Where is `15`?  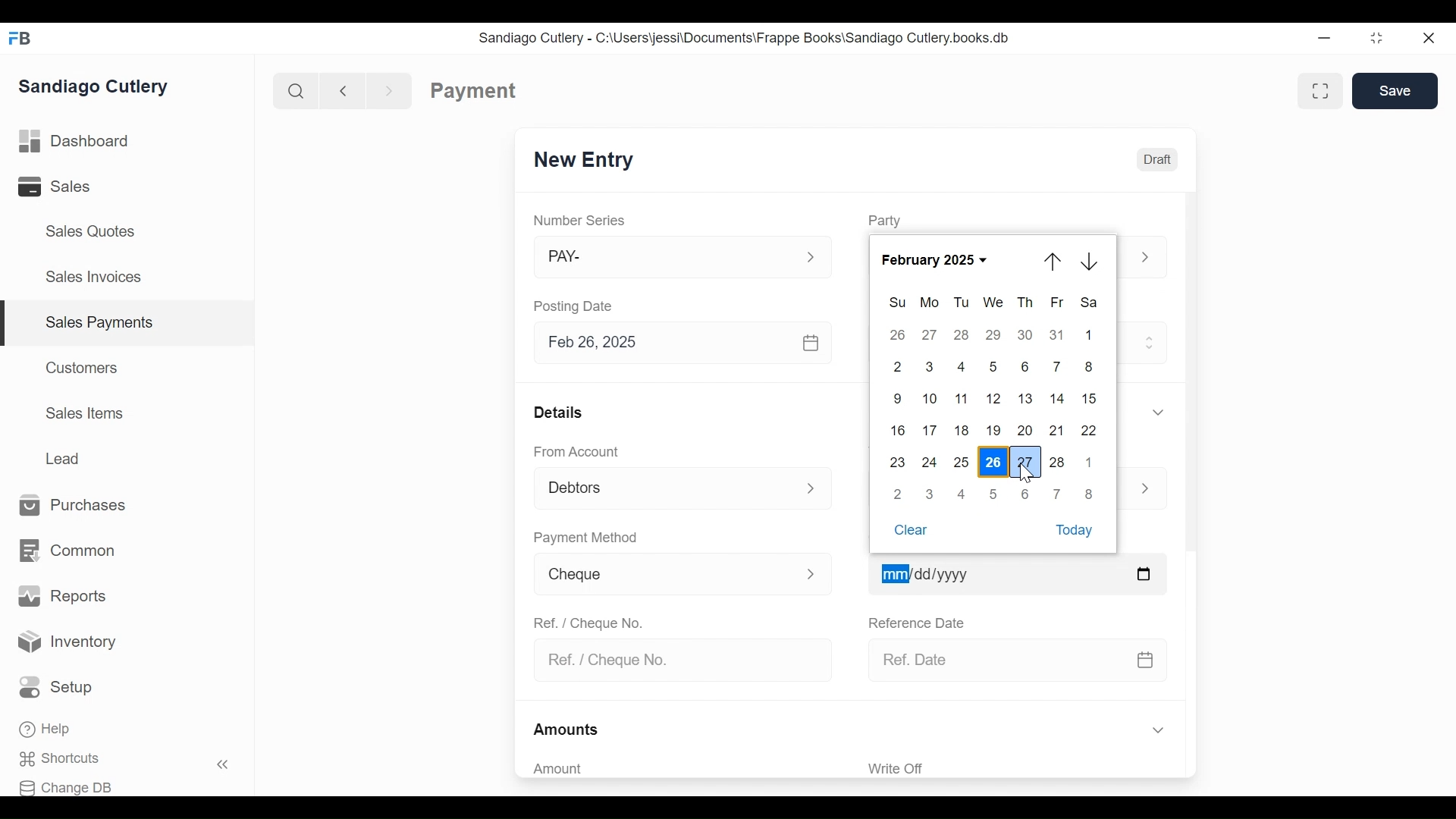 15 is located at coordinates (1093, 397).